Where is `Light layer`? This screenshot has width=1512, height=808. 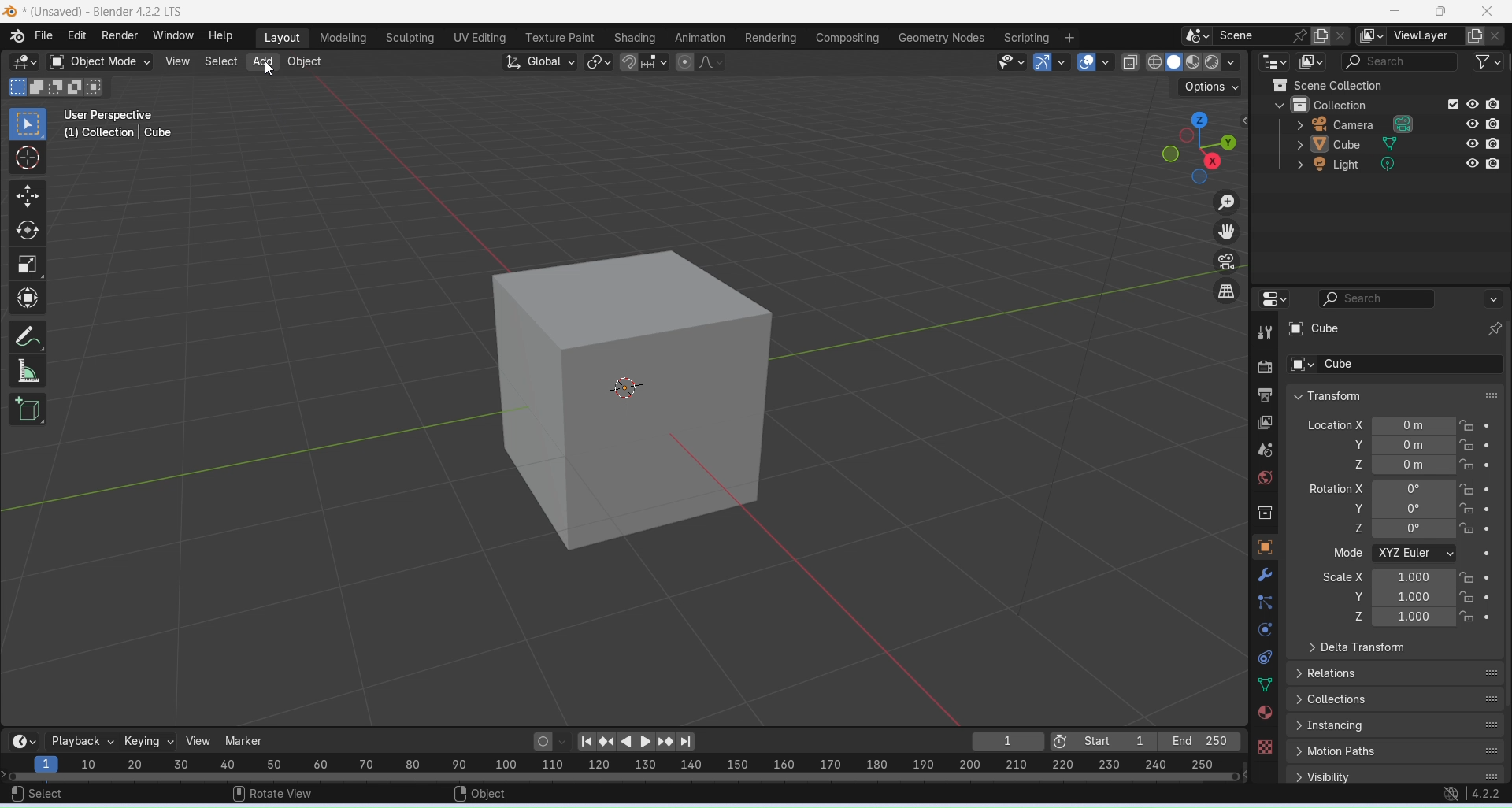
Light layer is located at coordinates (1395, 164).